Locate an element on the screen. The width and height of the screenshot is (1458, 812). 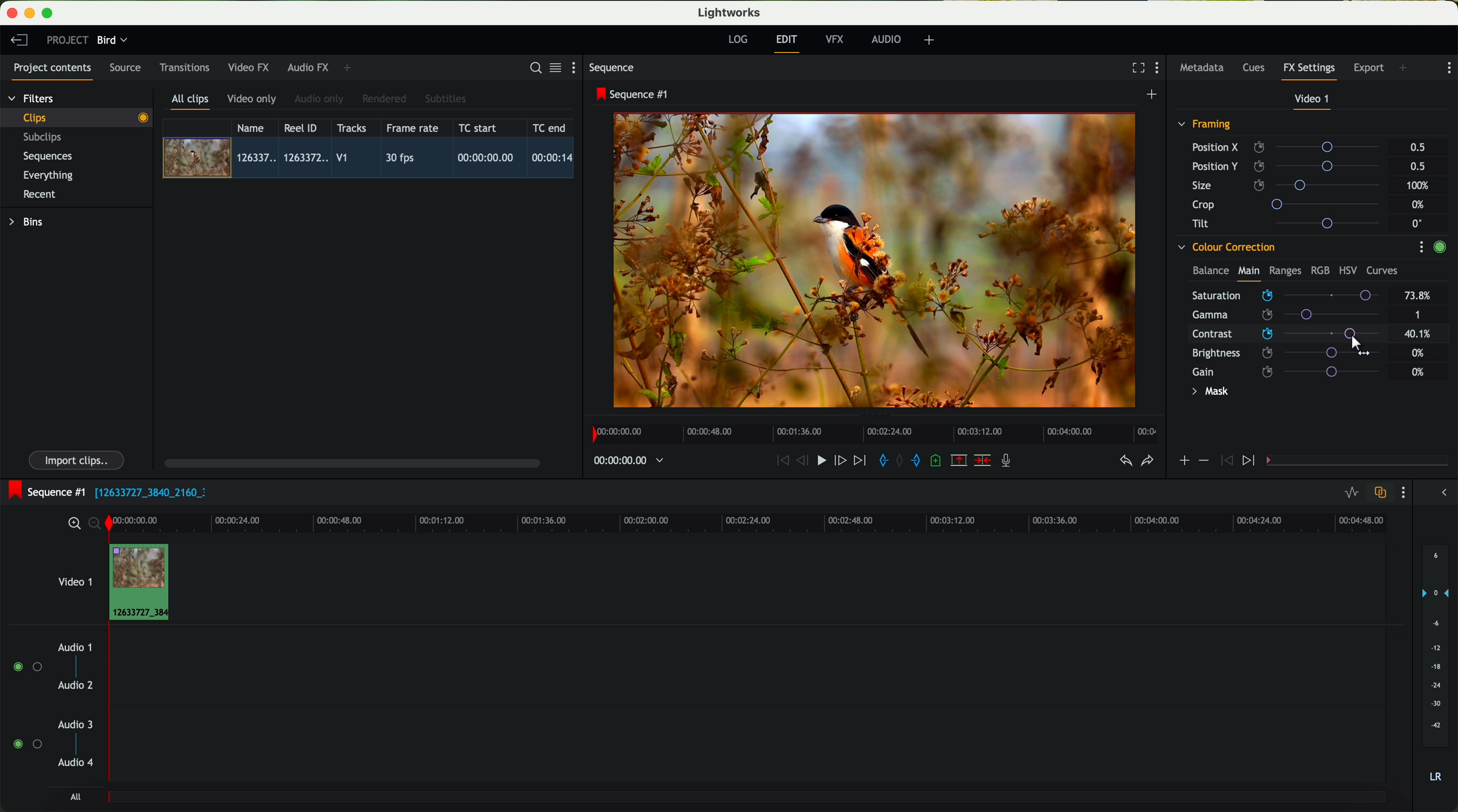
brightness is located at coordinates (1293, 353).